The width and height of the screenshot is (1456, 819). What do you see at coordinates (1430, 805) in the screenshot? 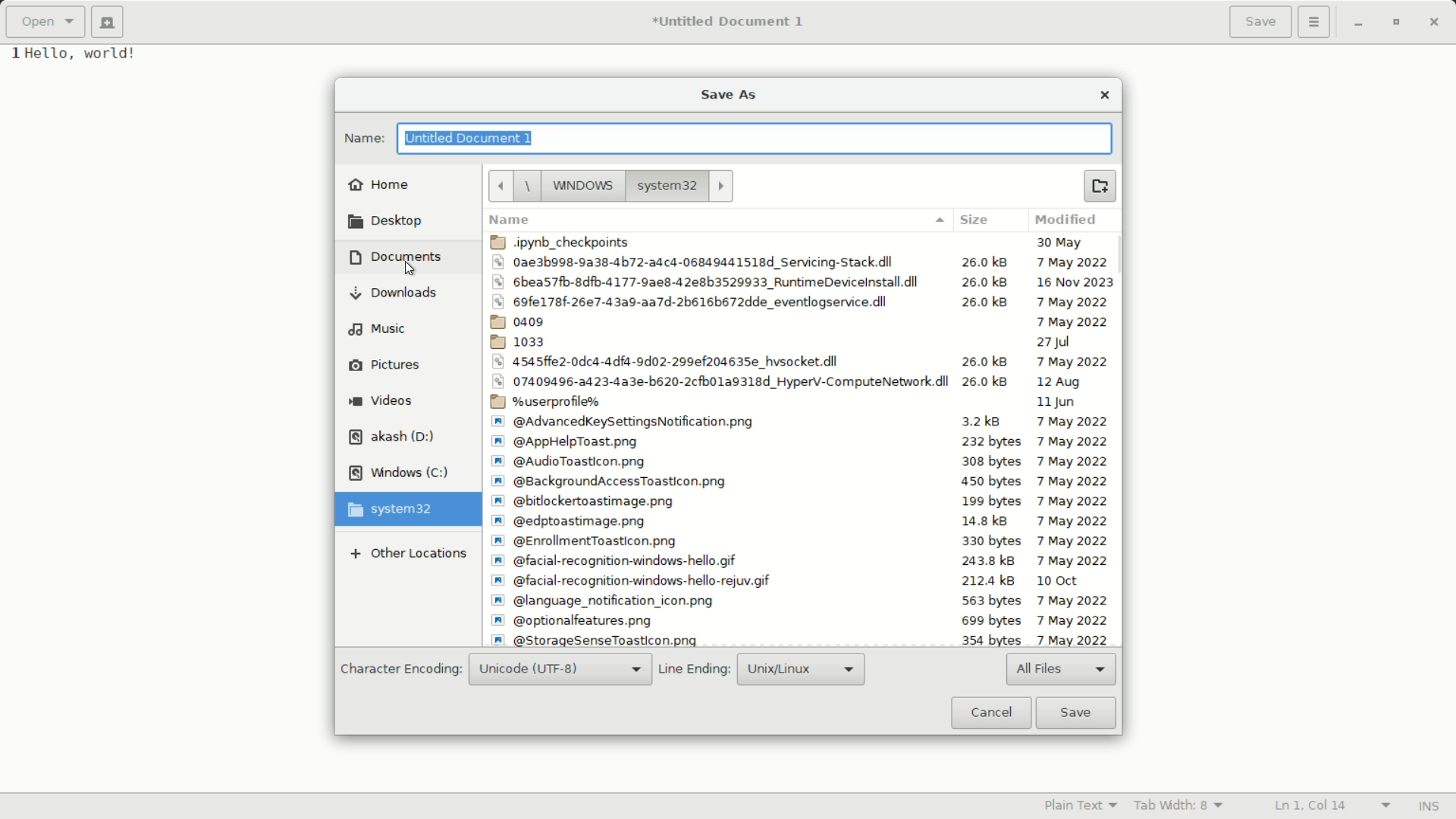
I see `INS` at bounding box center [1430, 805].